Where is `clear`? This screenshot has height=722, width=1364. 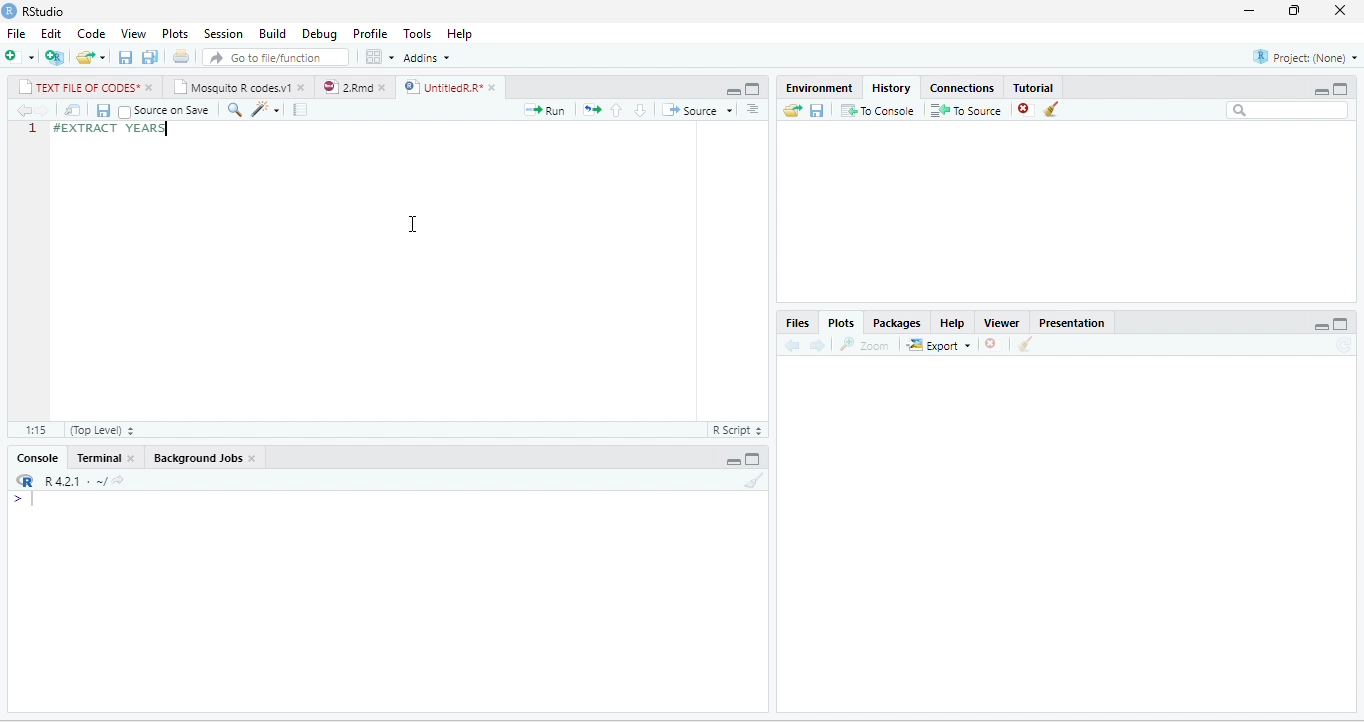
clear is located at coordinates (1025, 343).